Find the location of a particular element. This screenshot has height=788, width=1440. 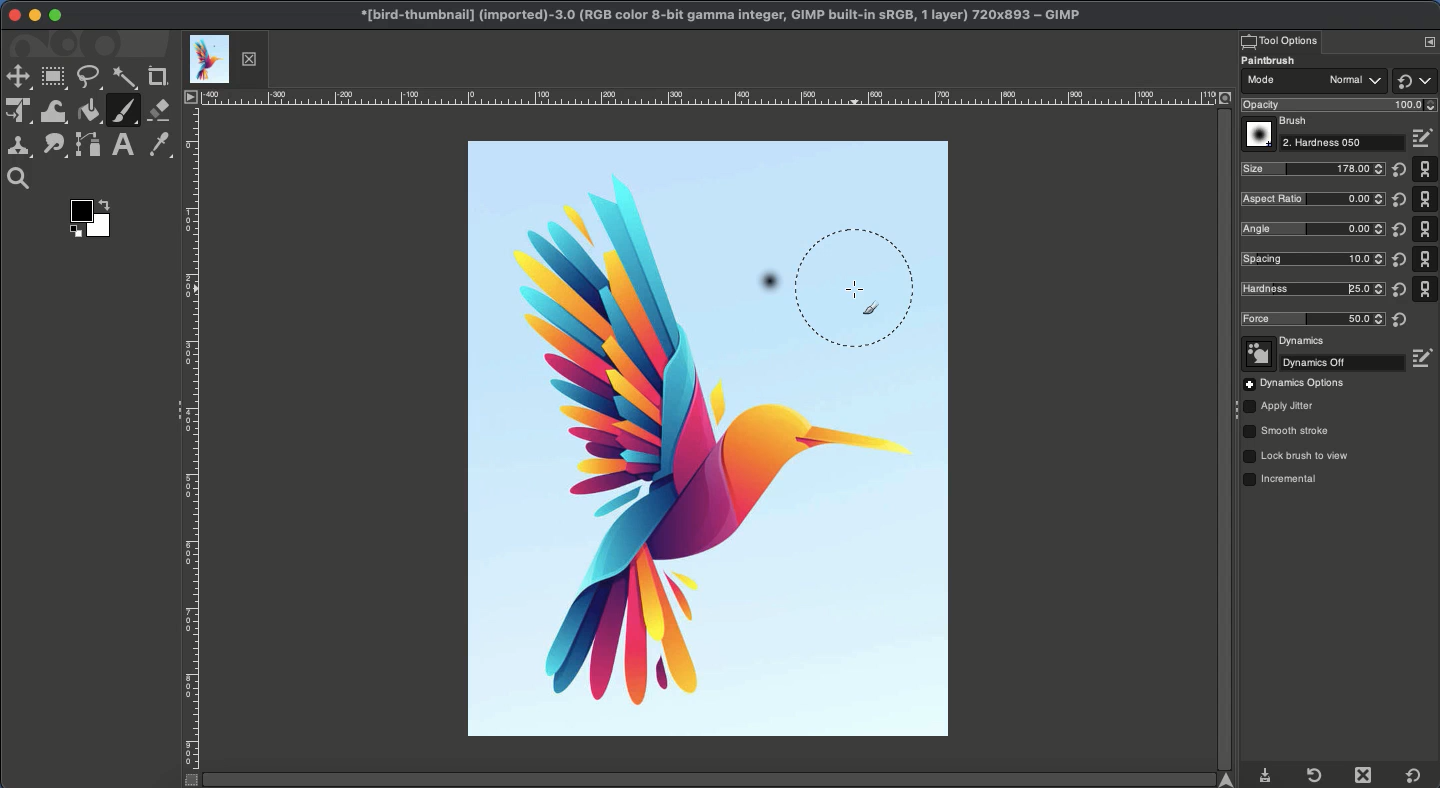

Paintbrush is located at coordinates (123, 111).